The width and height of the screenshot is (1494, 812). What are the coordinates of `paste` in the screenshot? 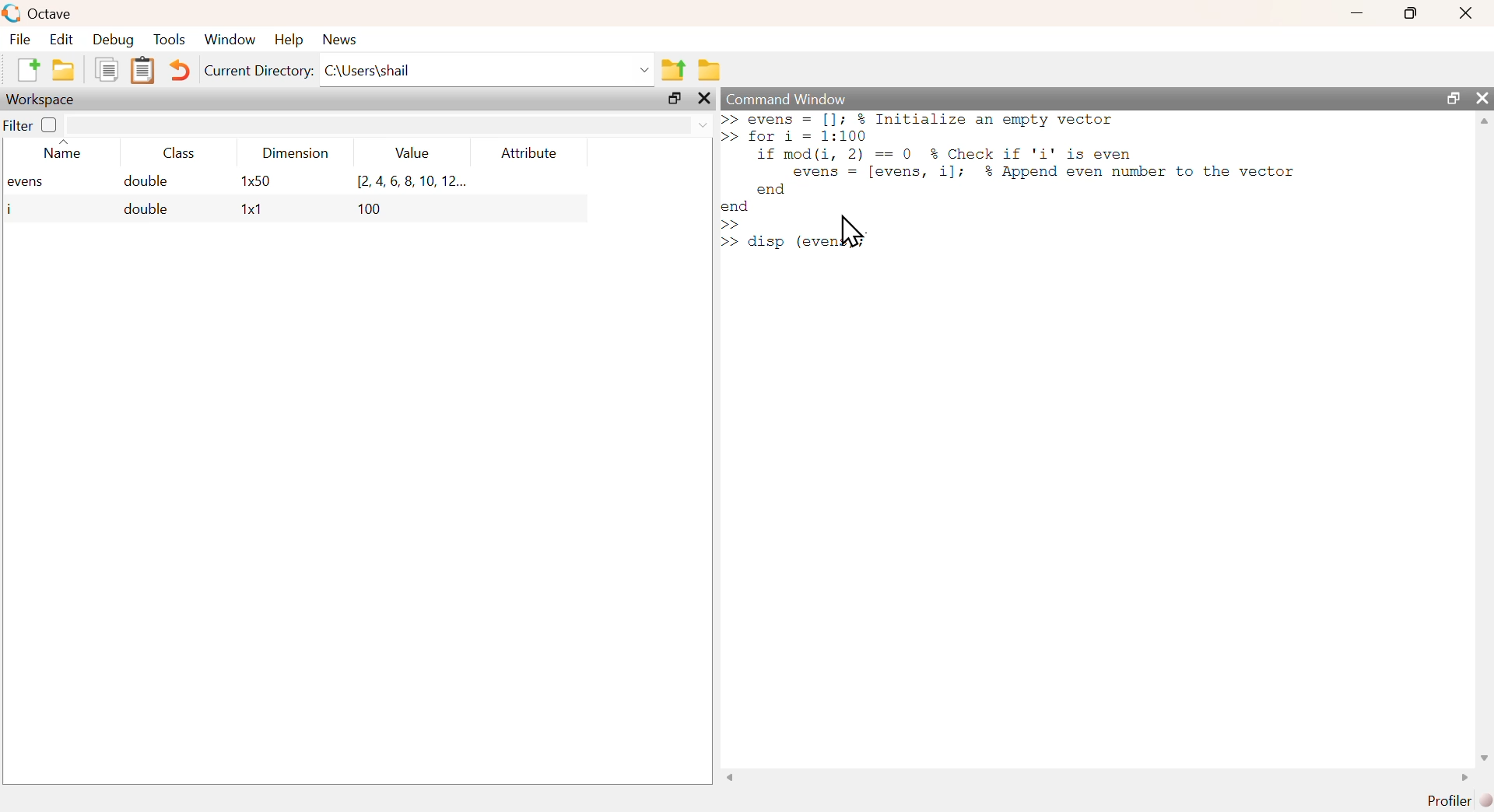 It's located at (142, 71).